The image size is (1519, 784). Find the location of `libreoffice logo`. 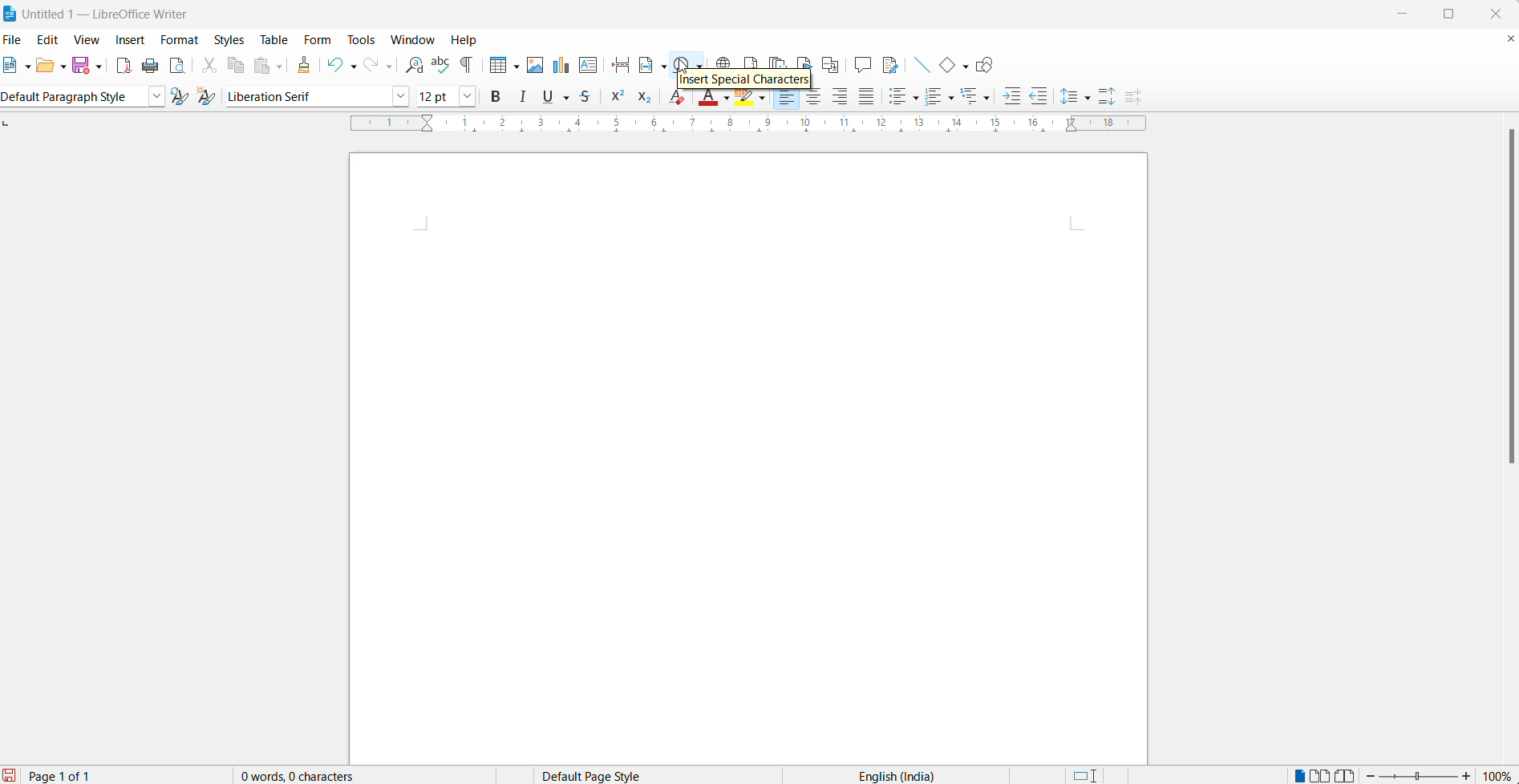

libreoffice logo is located at coordinates (10, 13).